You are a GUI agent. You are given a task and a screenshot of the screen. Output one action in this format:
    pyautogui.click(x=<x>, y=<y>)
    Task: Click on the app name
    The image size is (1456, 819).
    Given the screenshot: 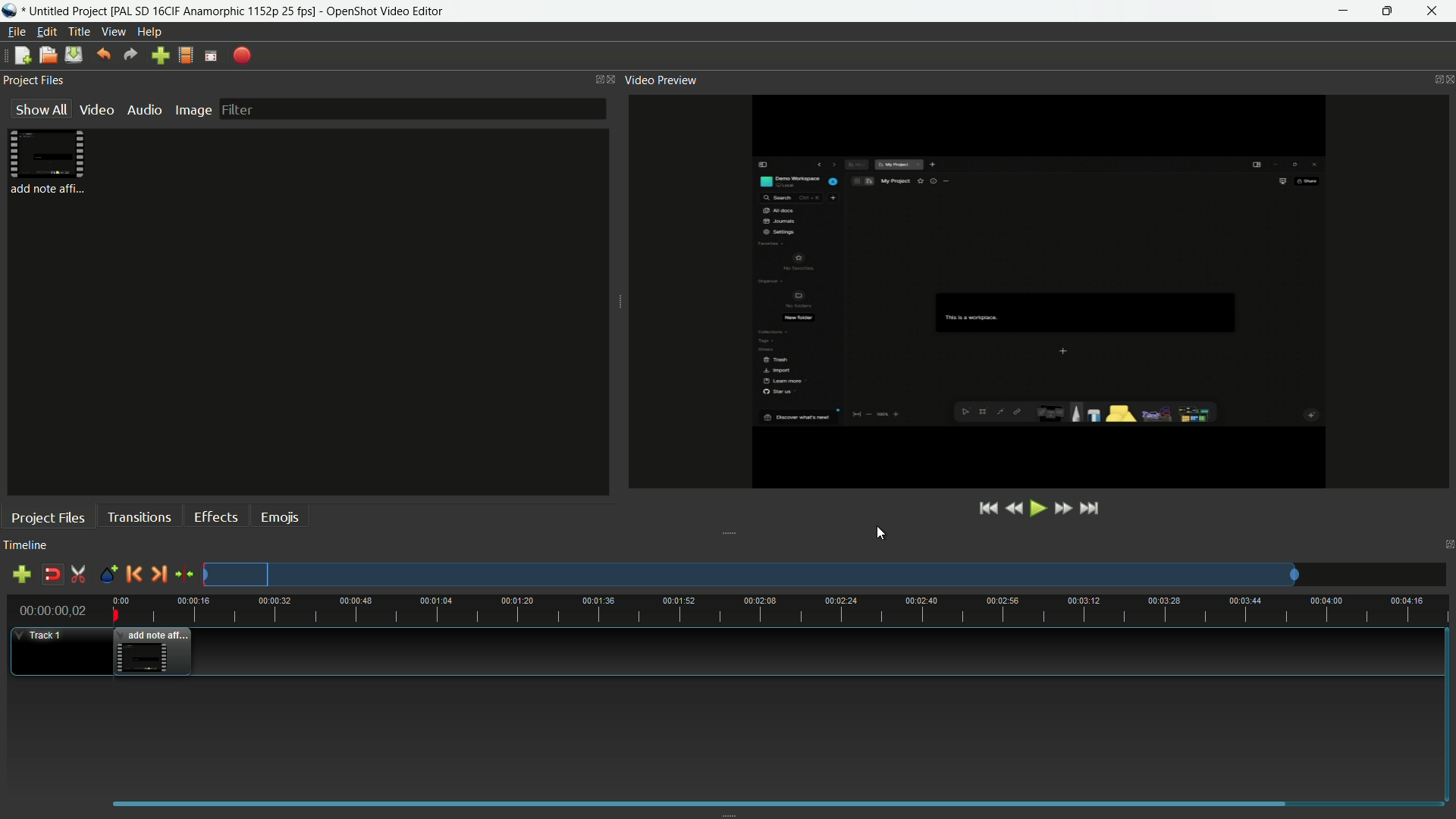 What is the action you would take?
    pyautogui.click(x=388, y=11)
    